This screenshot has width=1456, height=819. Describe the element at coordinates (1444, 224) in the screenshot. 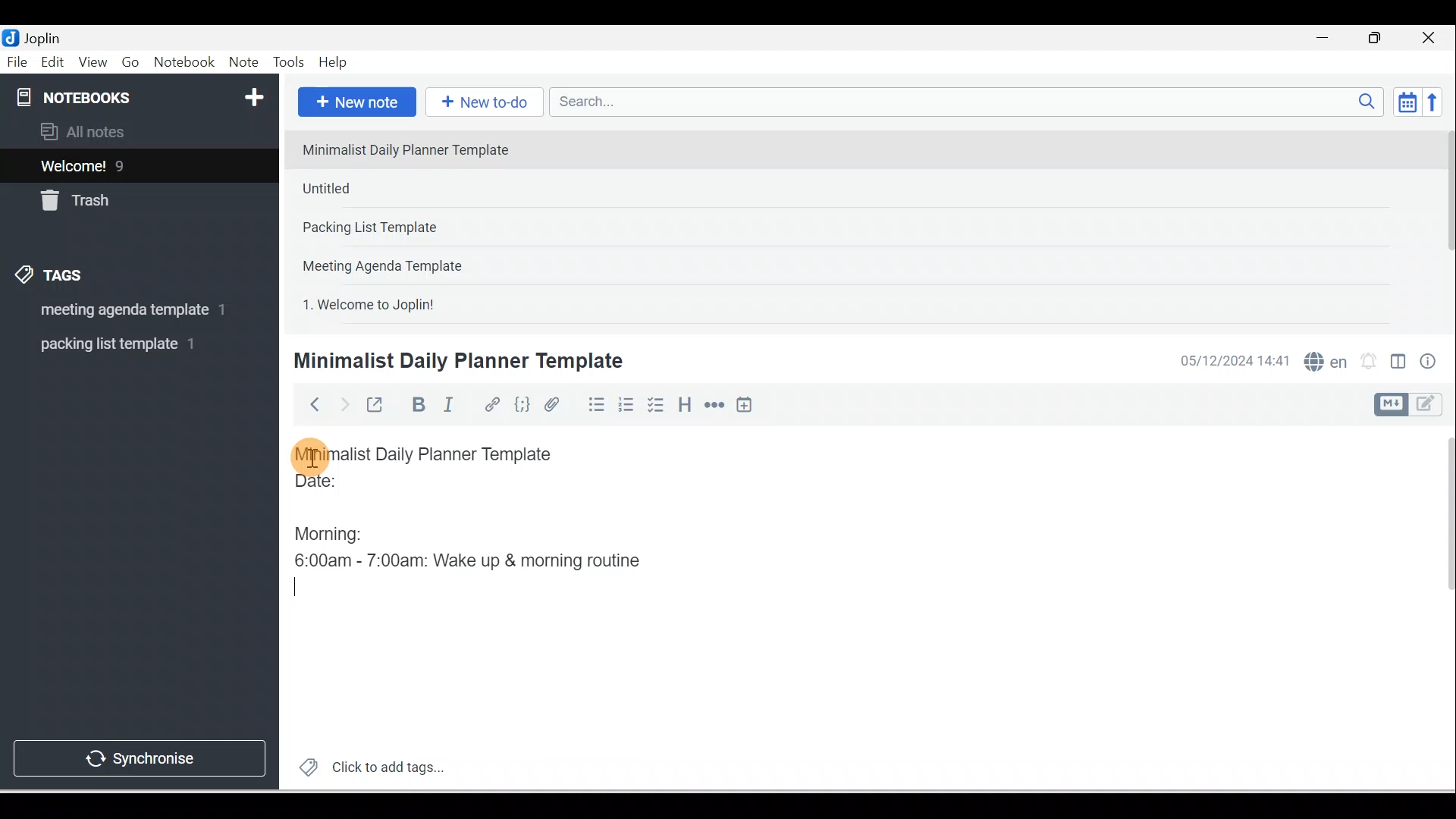

I see `Scroll bar` at that location.